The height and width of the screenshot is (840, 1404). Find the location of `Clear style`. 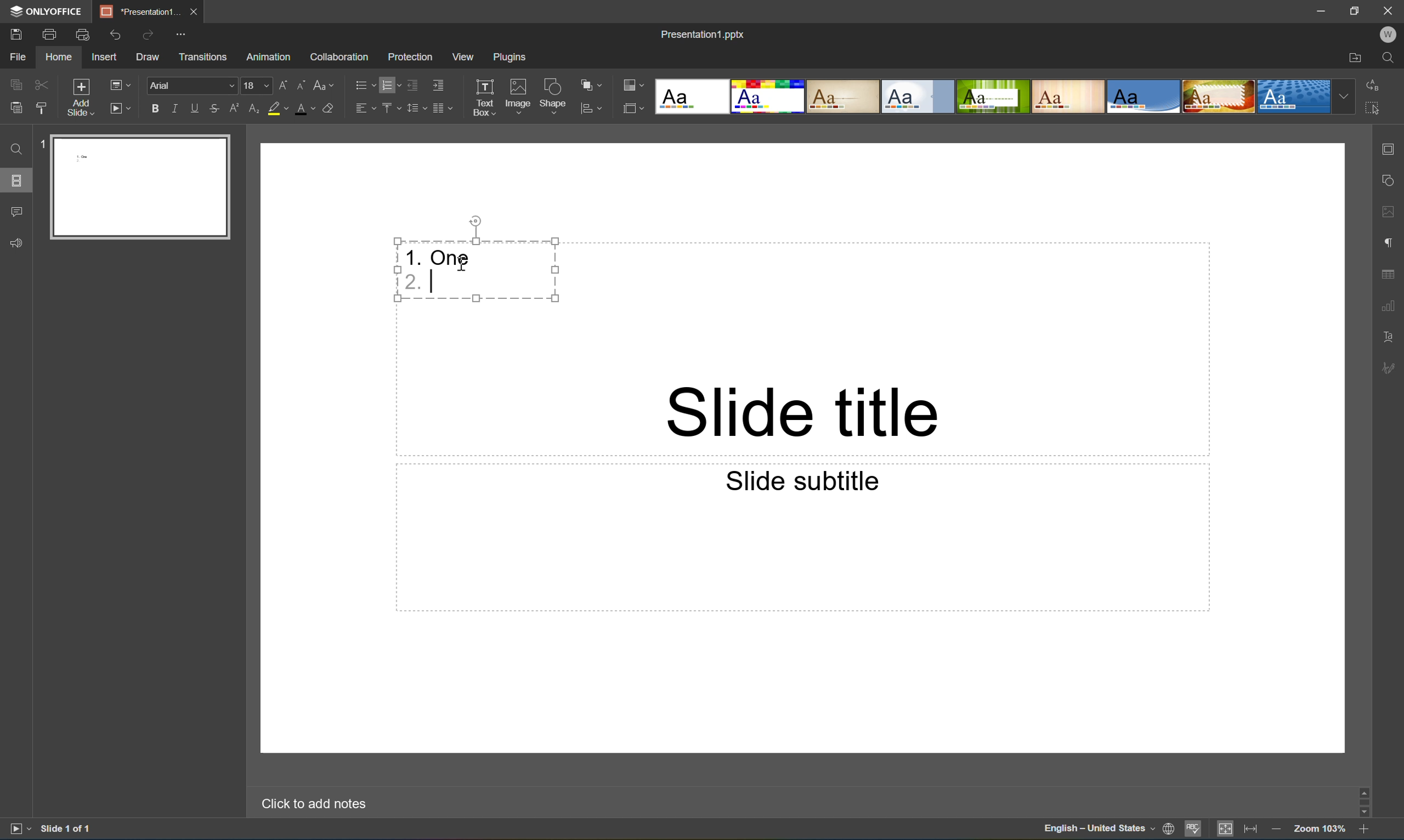

Clear style is located at coordinates (330, 107).